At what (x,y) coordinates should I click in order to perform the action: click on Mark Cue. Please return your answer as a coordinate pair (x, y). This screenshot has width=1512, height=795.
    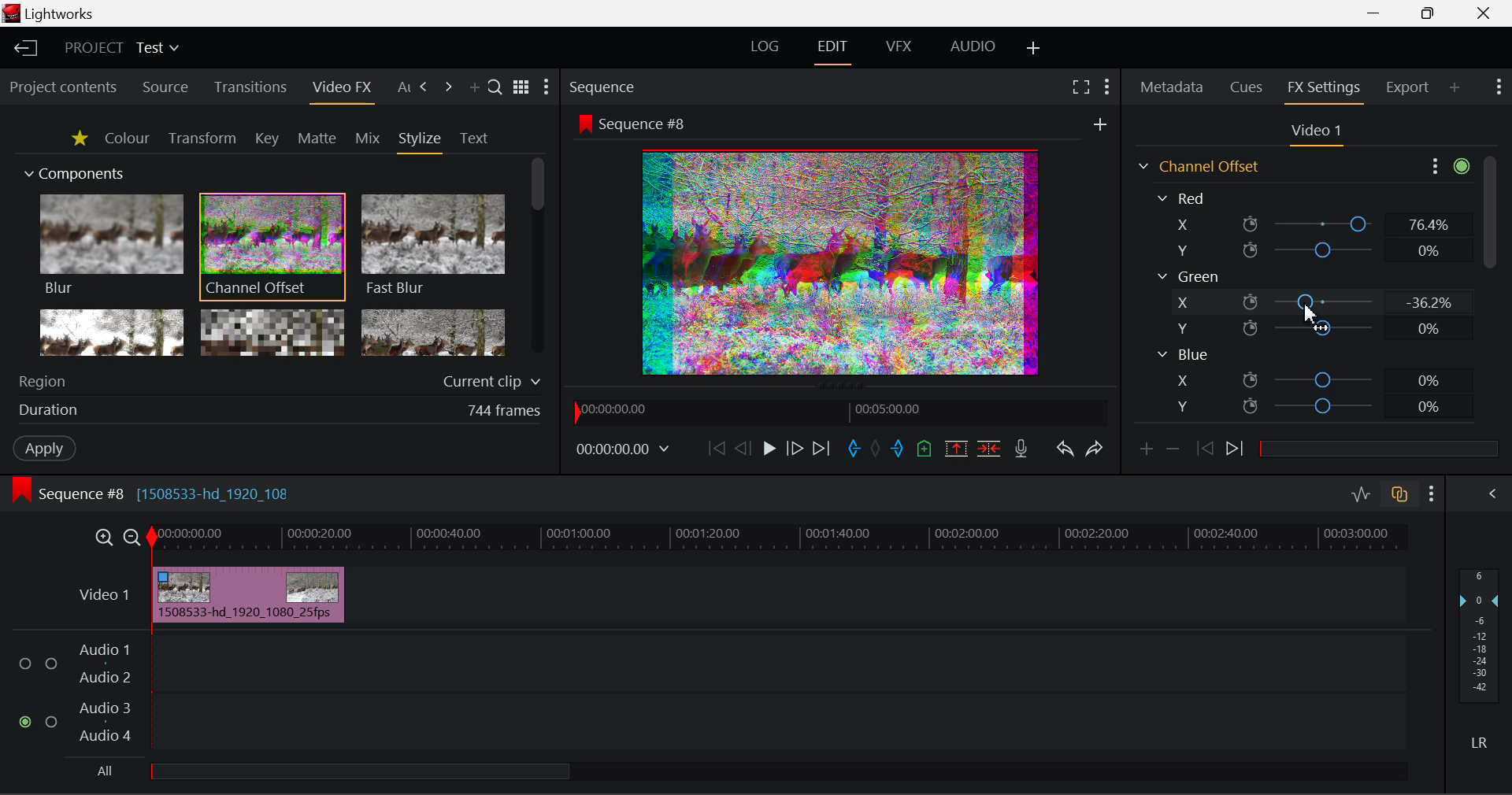
    Looking at the image, I should click on (925, 447).